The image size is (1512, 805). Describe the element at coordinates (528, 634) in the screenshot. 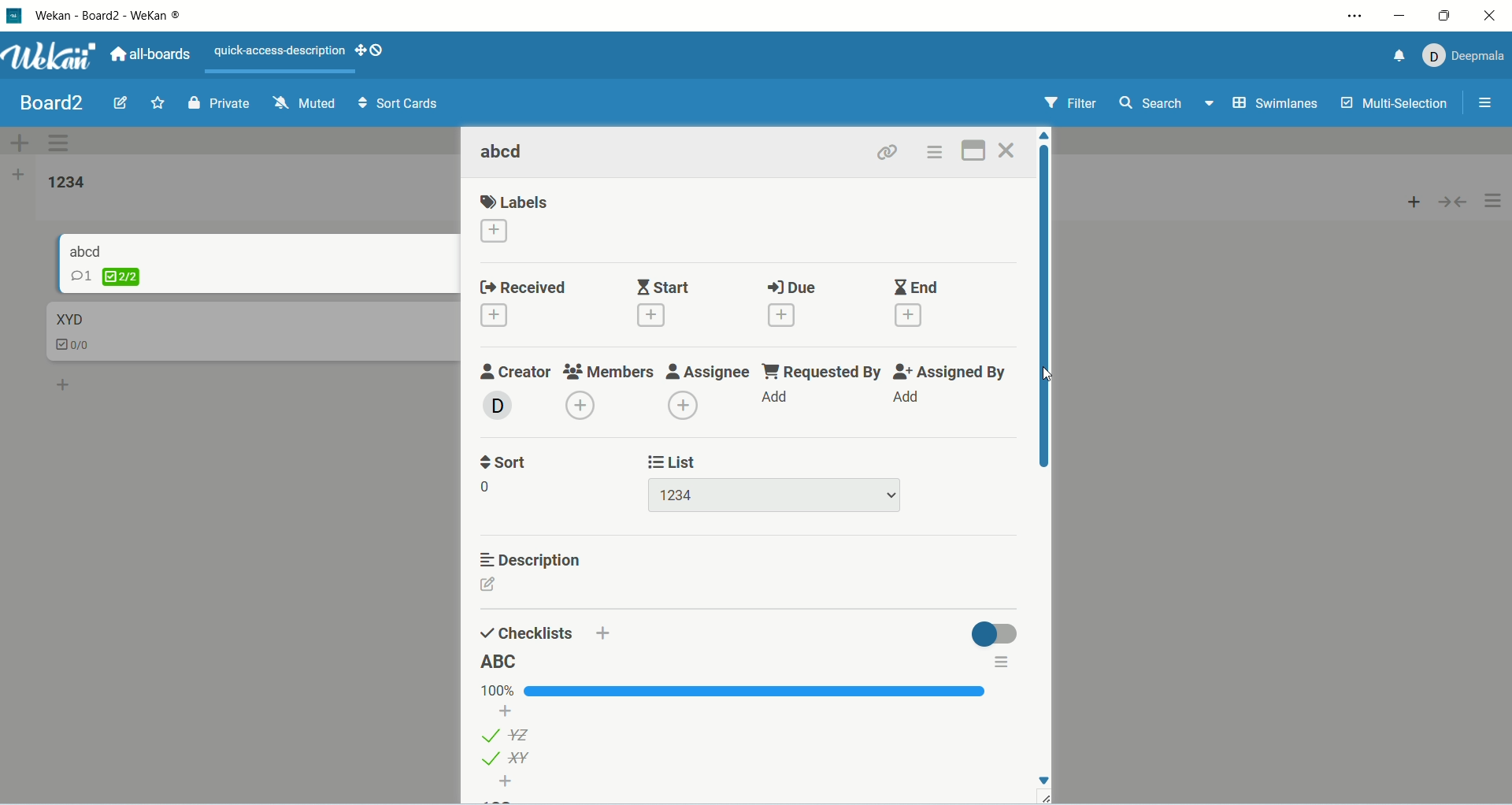

I see `checklists` at that location.